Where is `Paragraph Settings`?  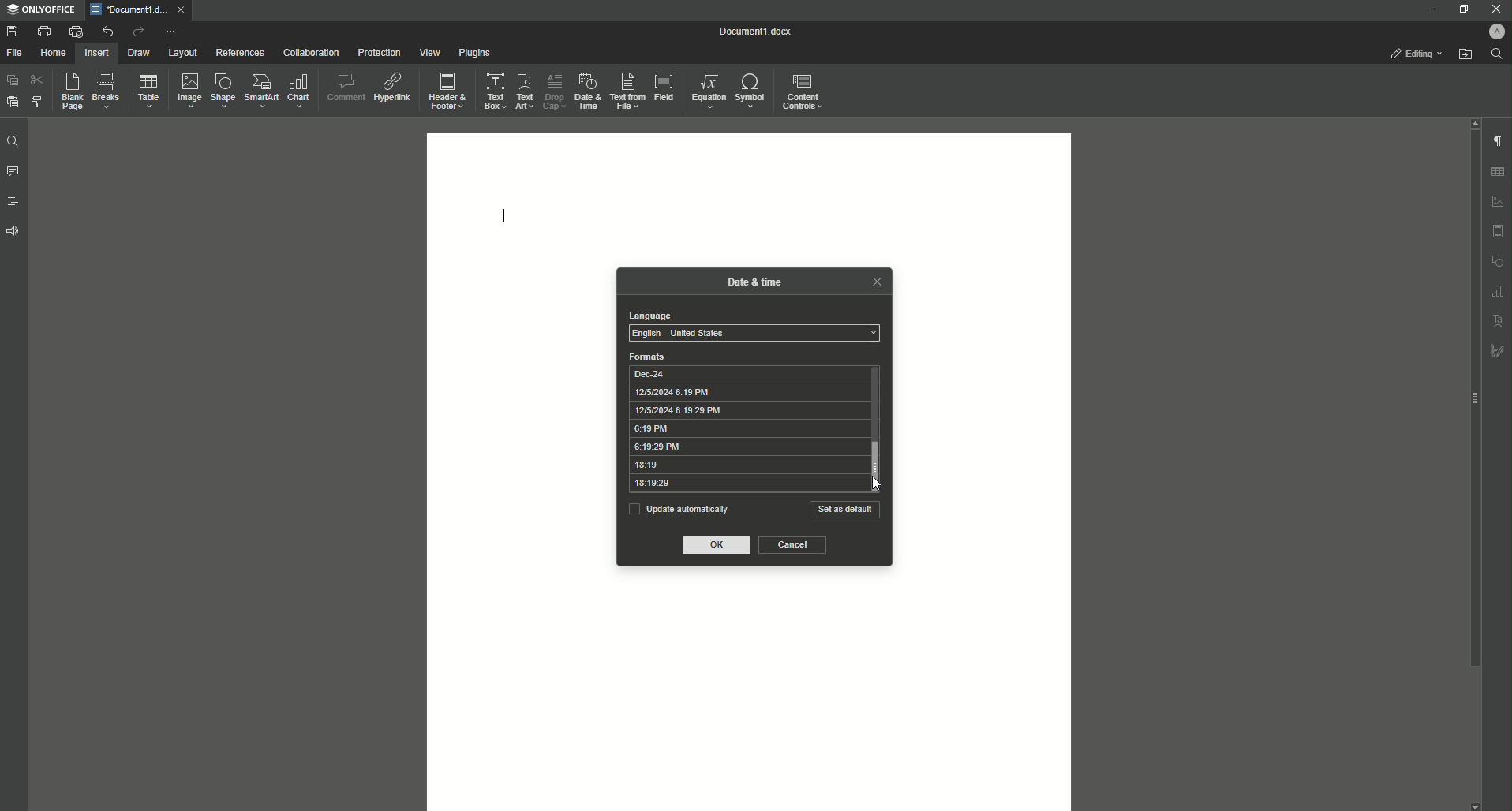 Paragraph Settings is located at coordinates (1496, 140).